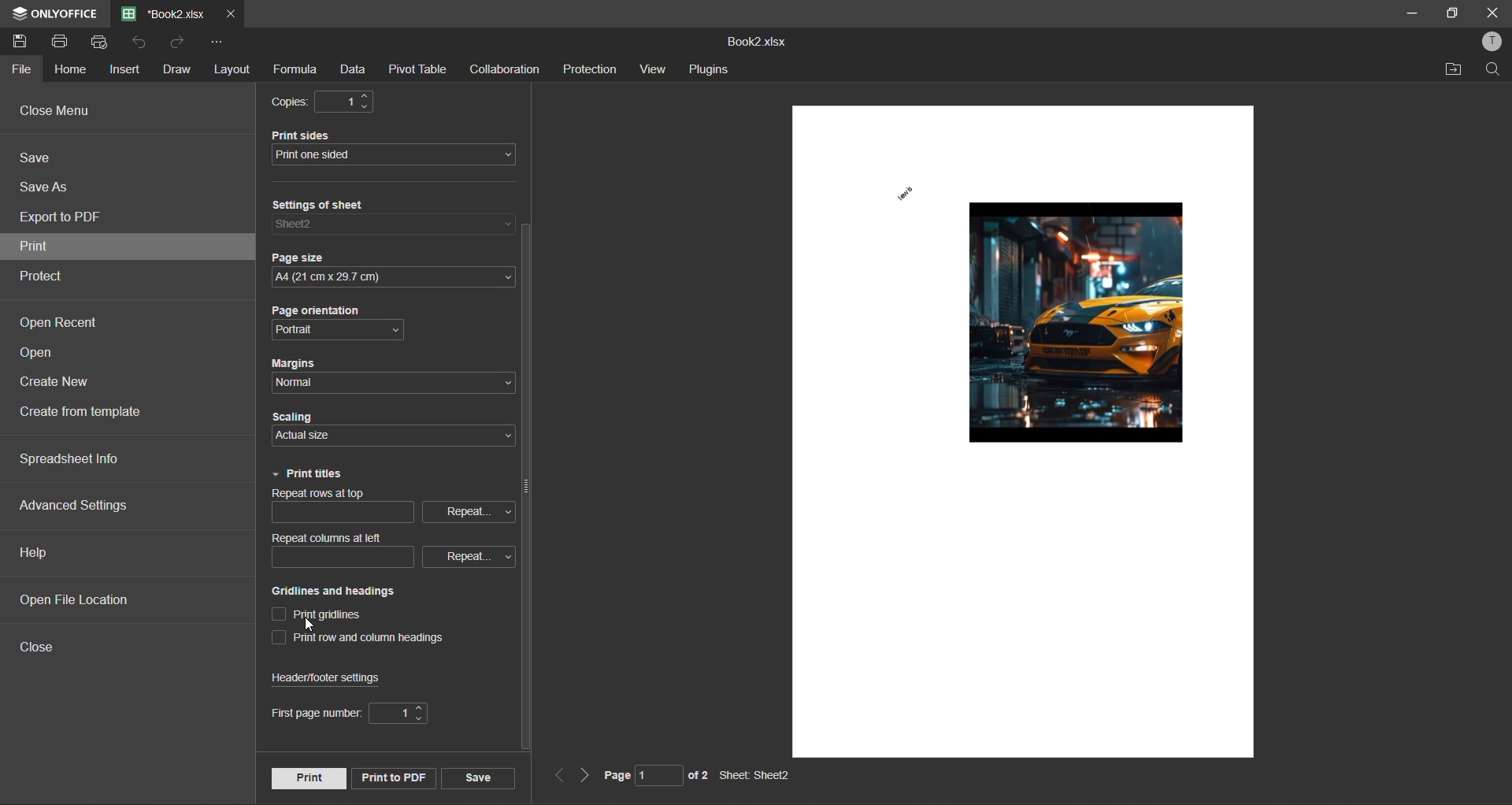 This screenshot has height=805, width=1512. I want to click on formula, so click(294, 70).